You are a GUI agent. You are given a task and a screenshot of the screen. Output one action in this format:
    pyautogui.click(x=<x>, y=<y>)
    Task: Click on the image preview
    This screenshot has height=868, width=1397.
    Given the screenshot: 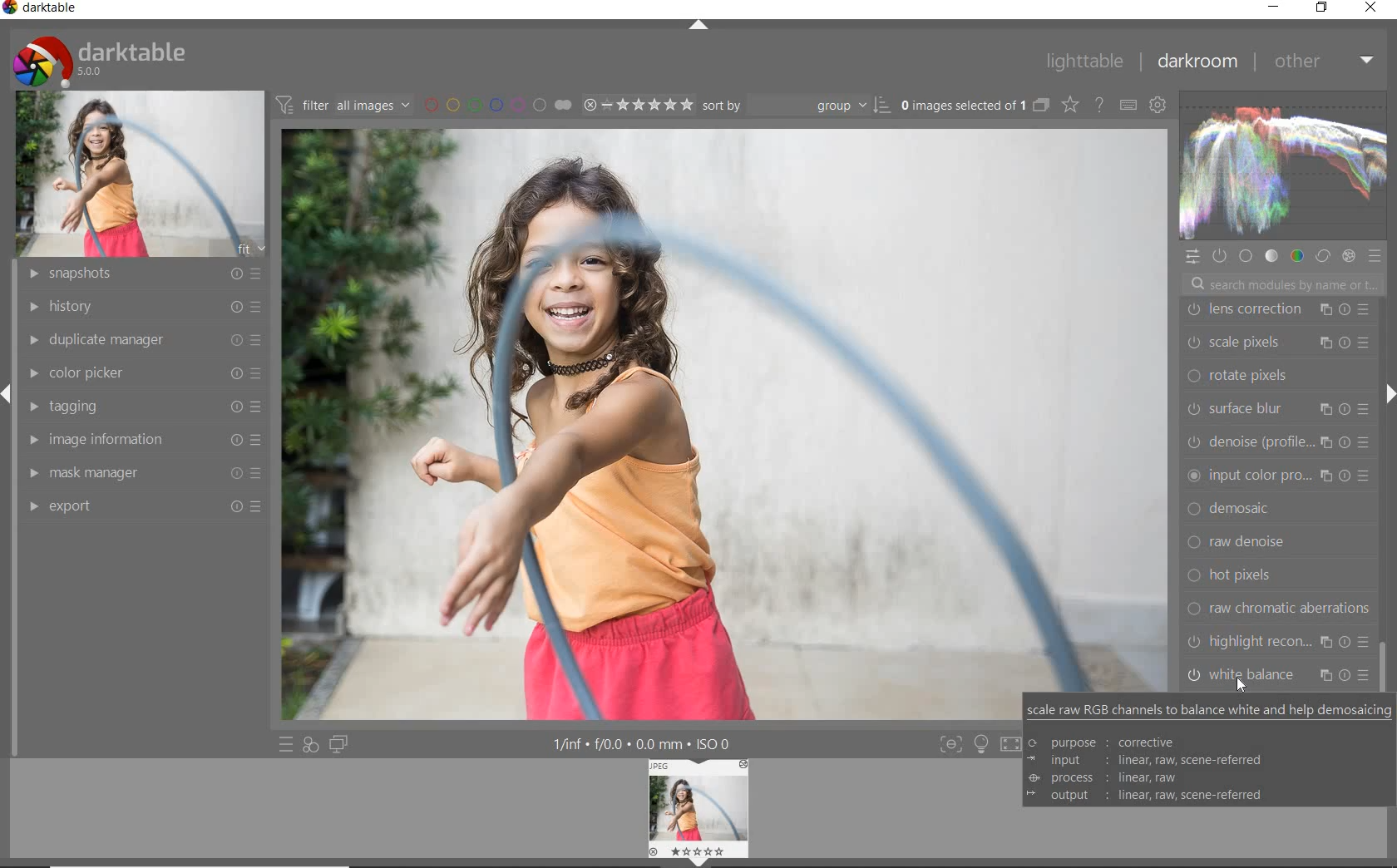 What is the action you would take?
    pyautogui.click(x=699, y=813)
    